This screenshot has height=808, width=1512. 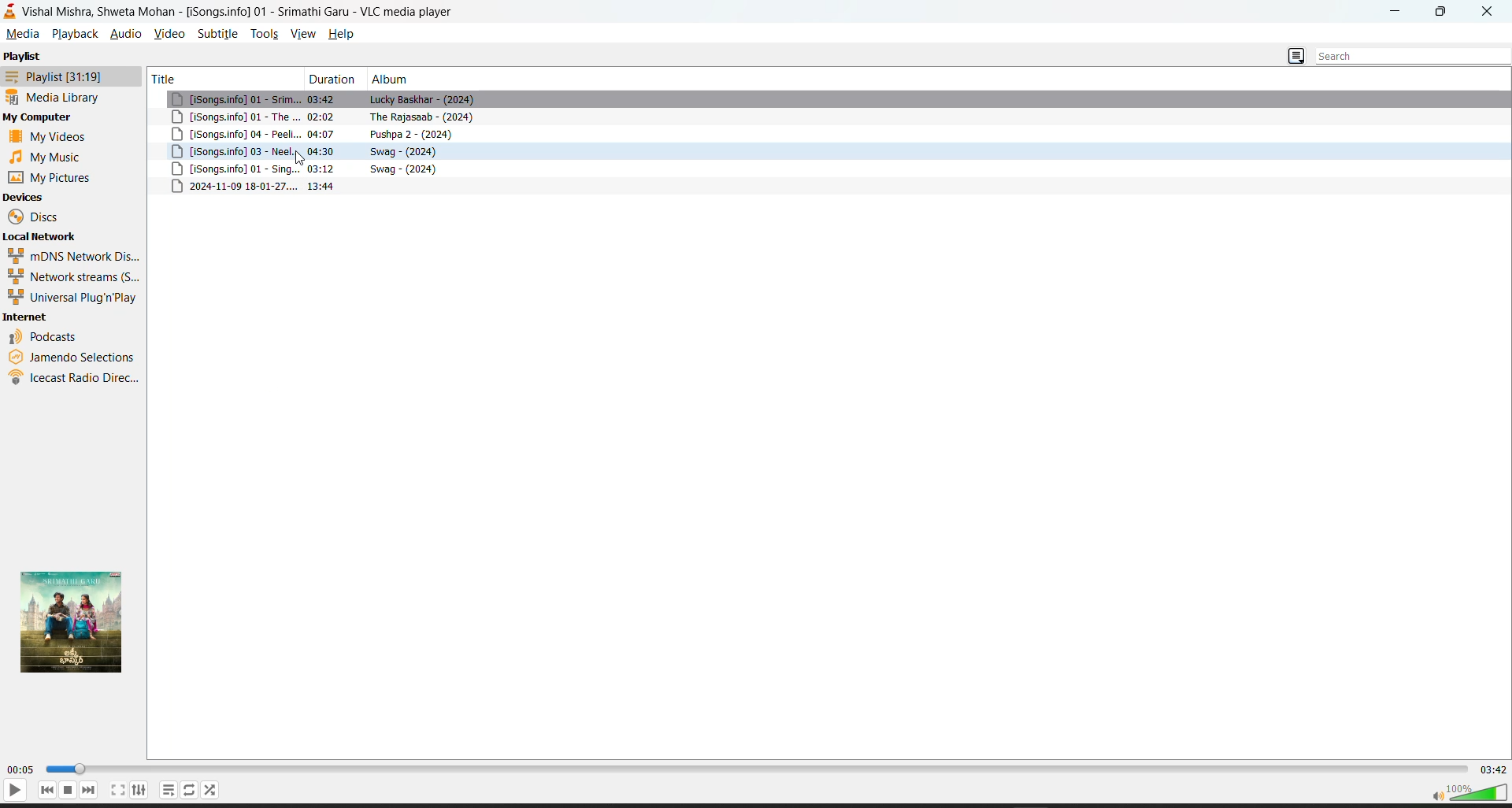 What do you see at coordinates (828, 98) in the screenshot?
I see `song` at bounding box center [828, 98].